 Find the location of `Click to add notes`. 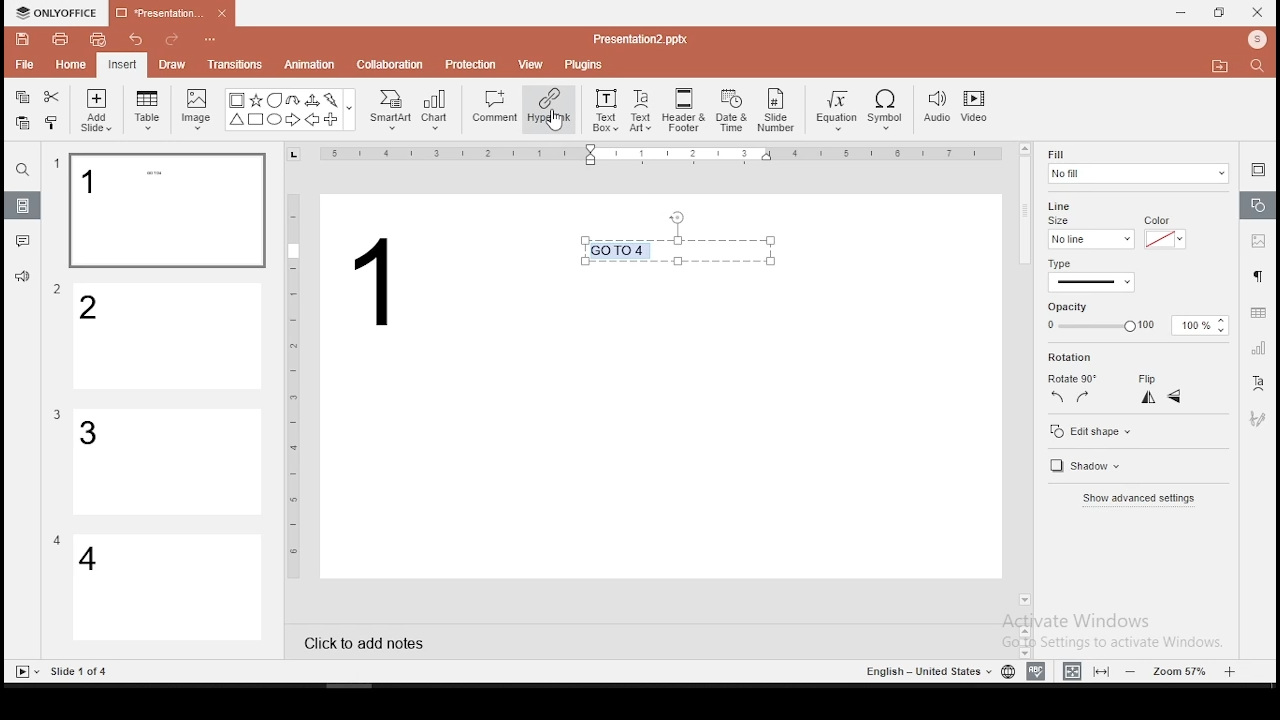

Click to add notes is located at coordinates (365, 641).